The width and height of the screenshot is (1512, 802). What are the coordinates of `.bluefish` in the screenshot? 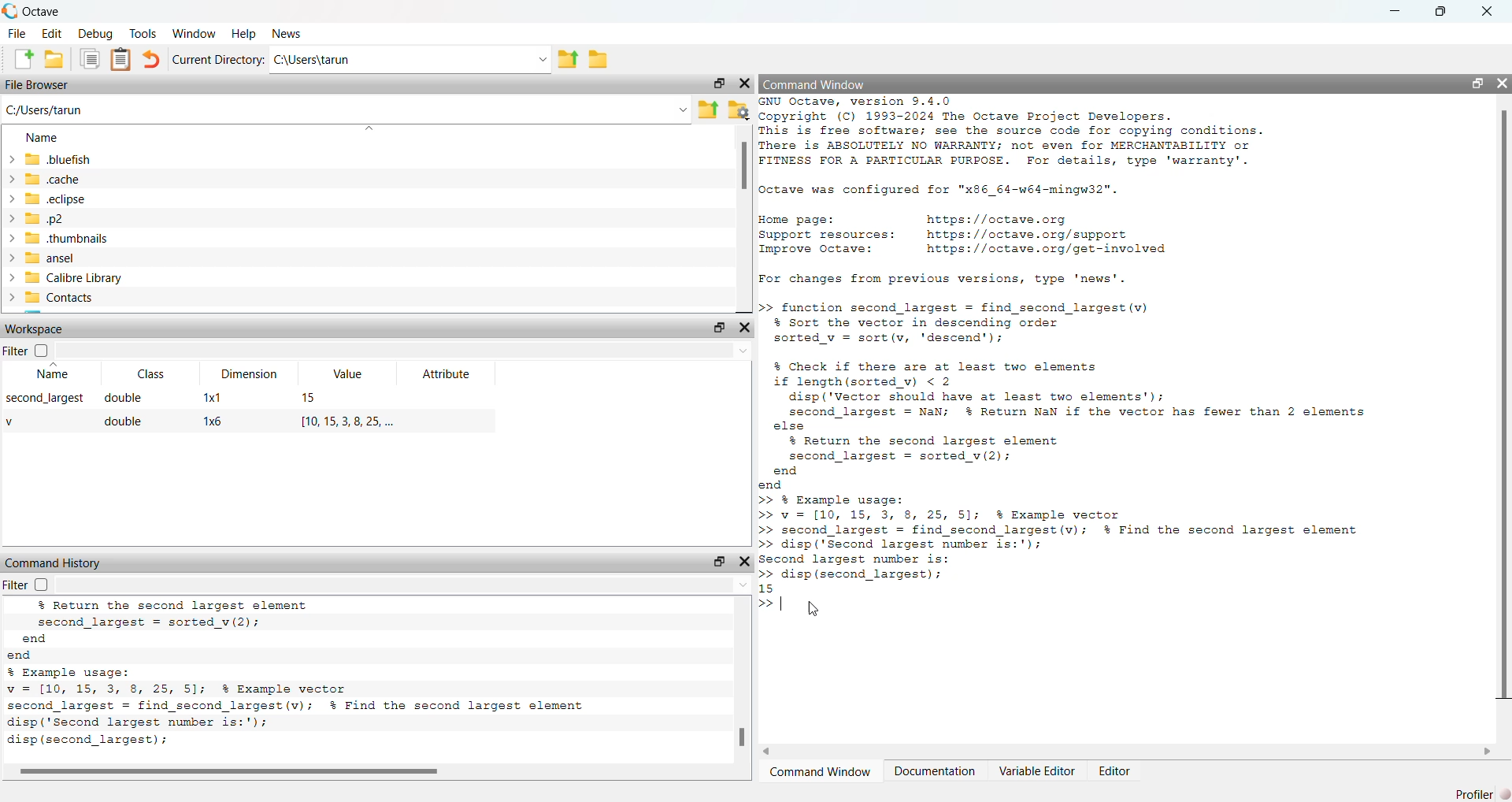 It's located at (80, 158).